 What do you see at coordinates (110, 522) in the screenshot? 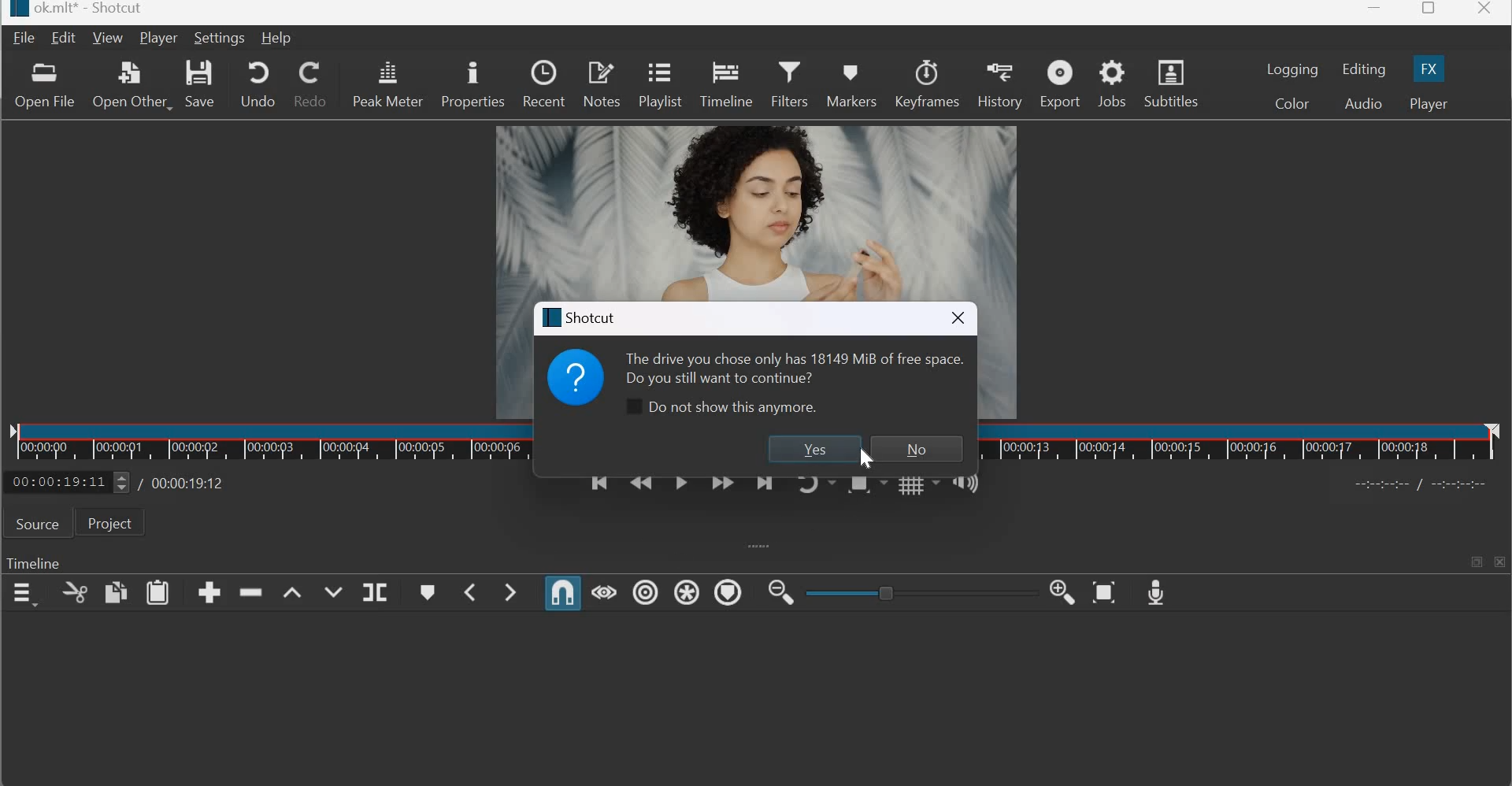
I see `Project` at bounding box center [110, 522].